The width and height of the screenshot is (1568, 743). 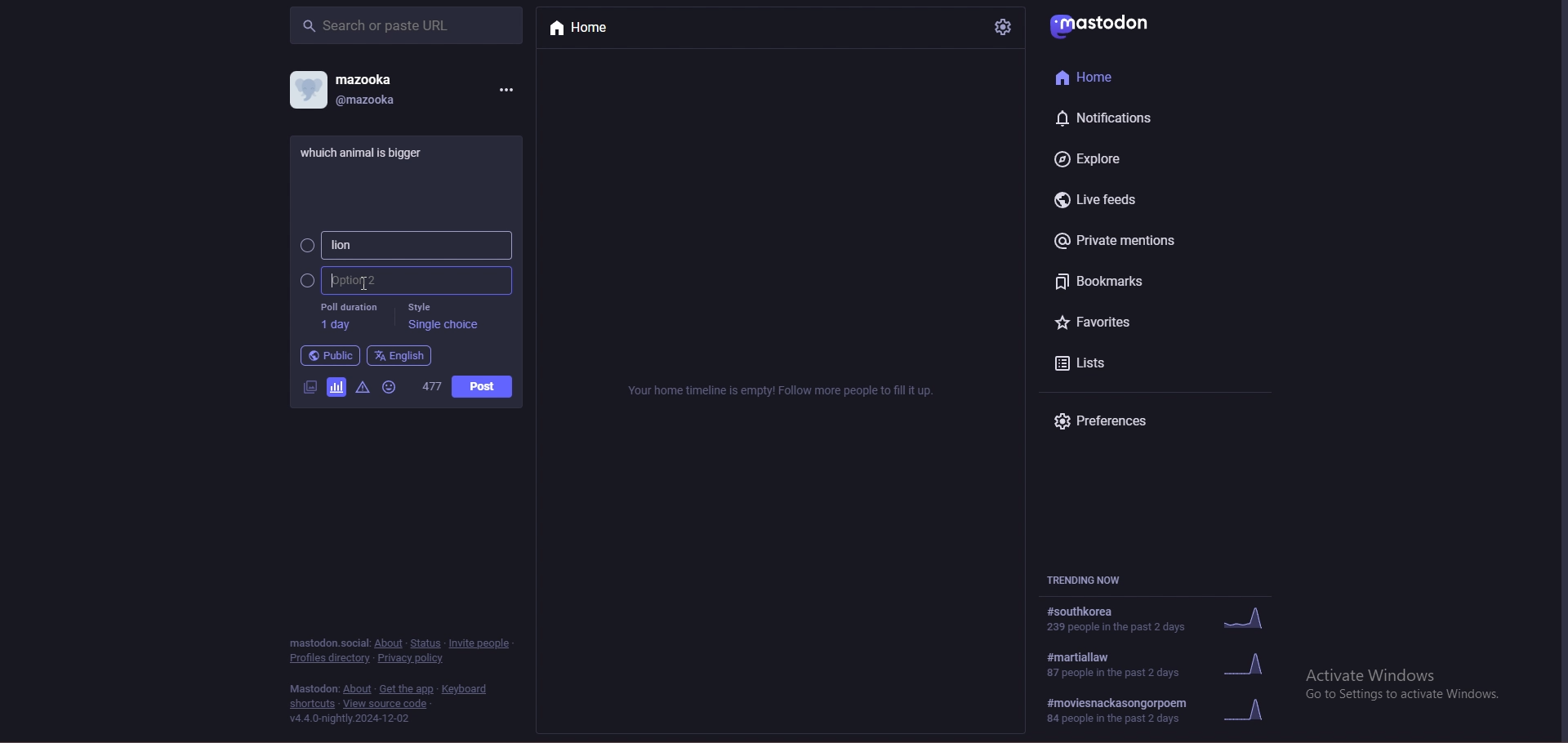 I want to click on language, so click(x=399, y=355).